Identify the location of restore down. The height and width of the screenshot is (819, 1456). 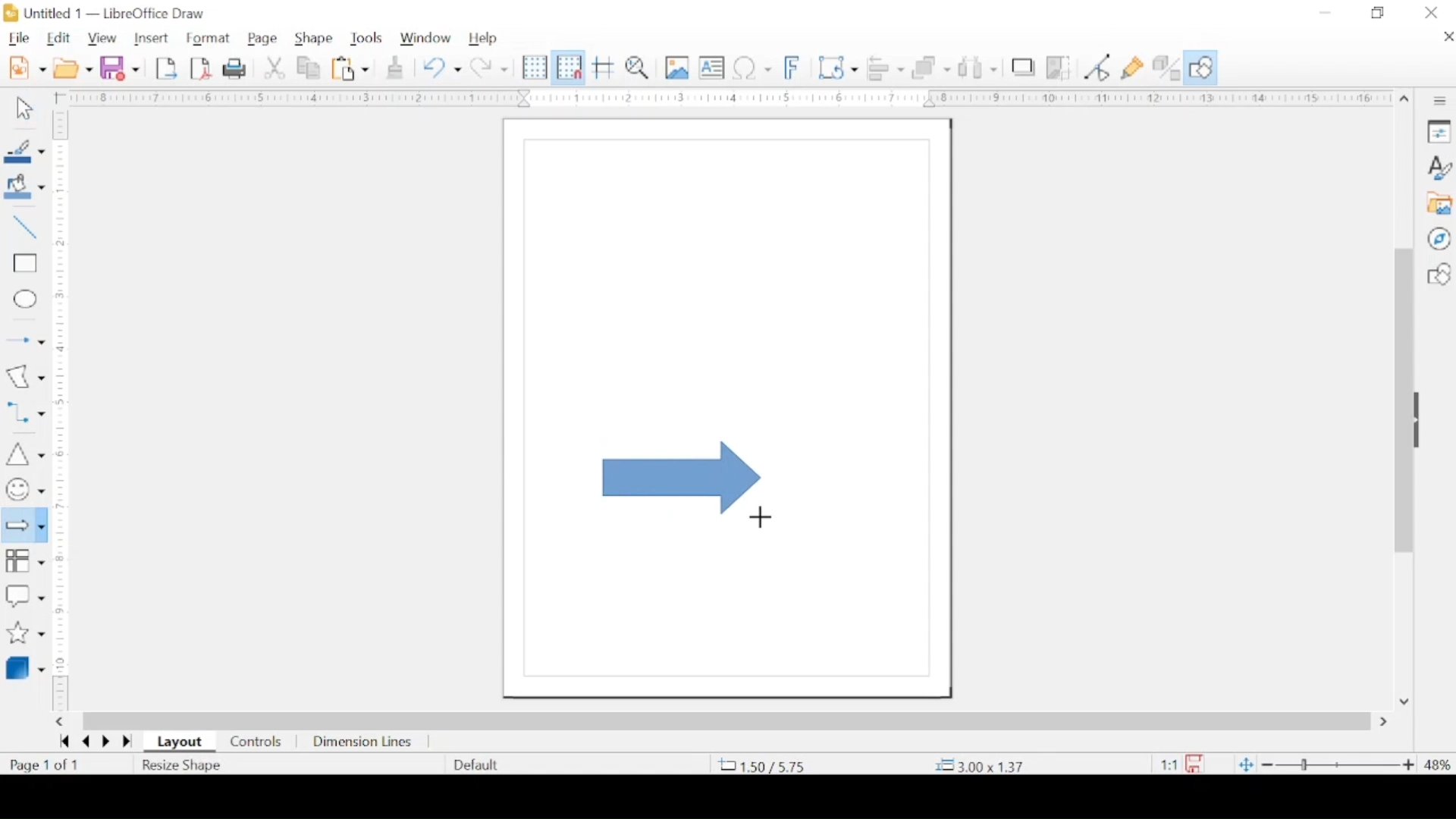
(1379, 13).